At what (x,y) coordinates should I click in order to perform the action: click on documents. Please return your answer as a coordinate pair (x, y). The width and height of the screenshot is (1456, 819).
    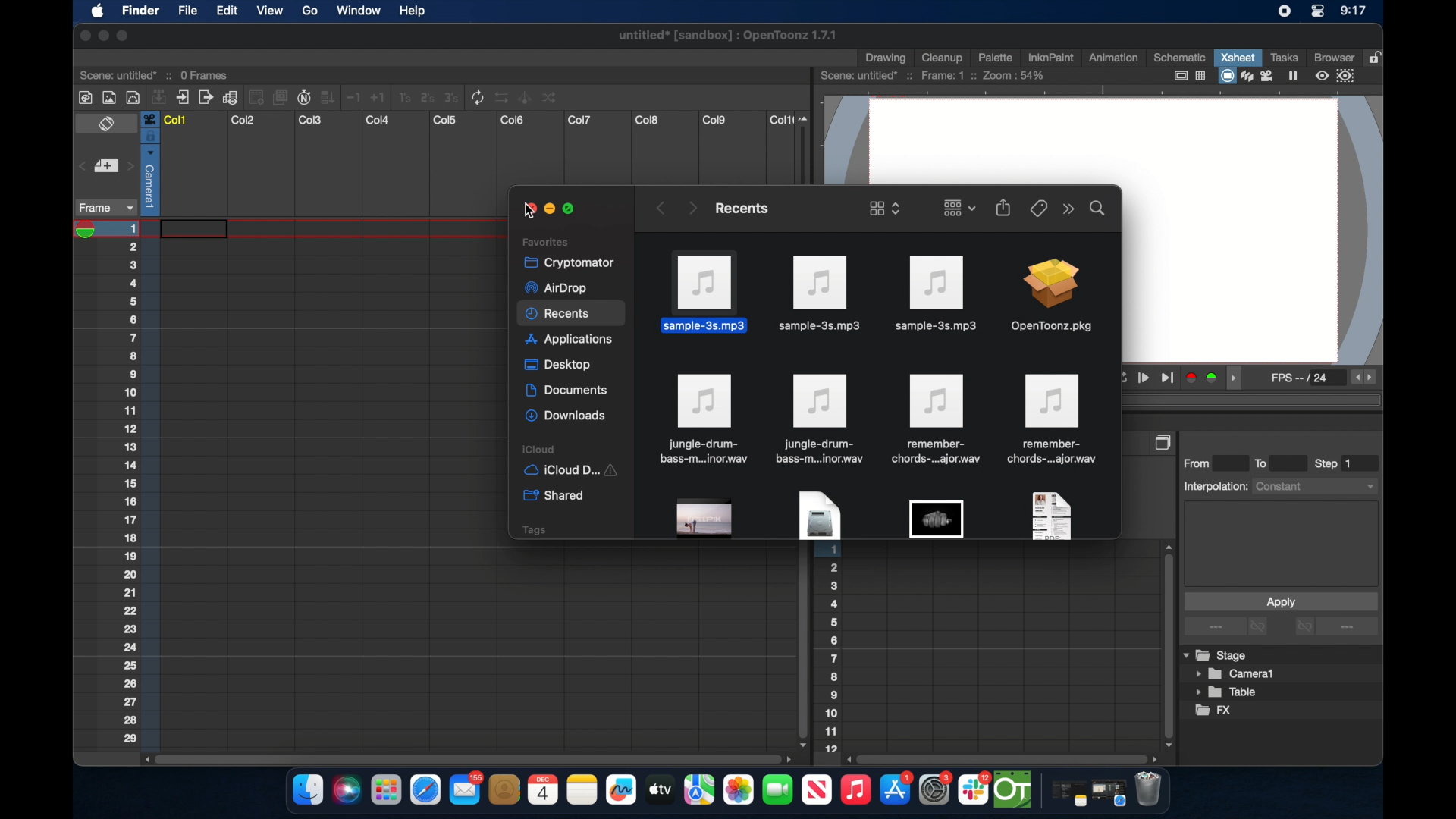
    Looking at the image, I should click on (568, 391).